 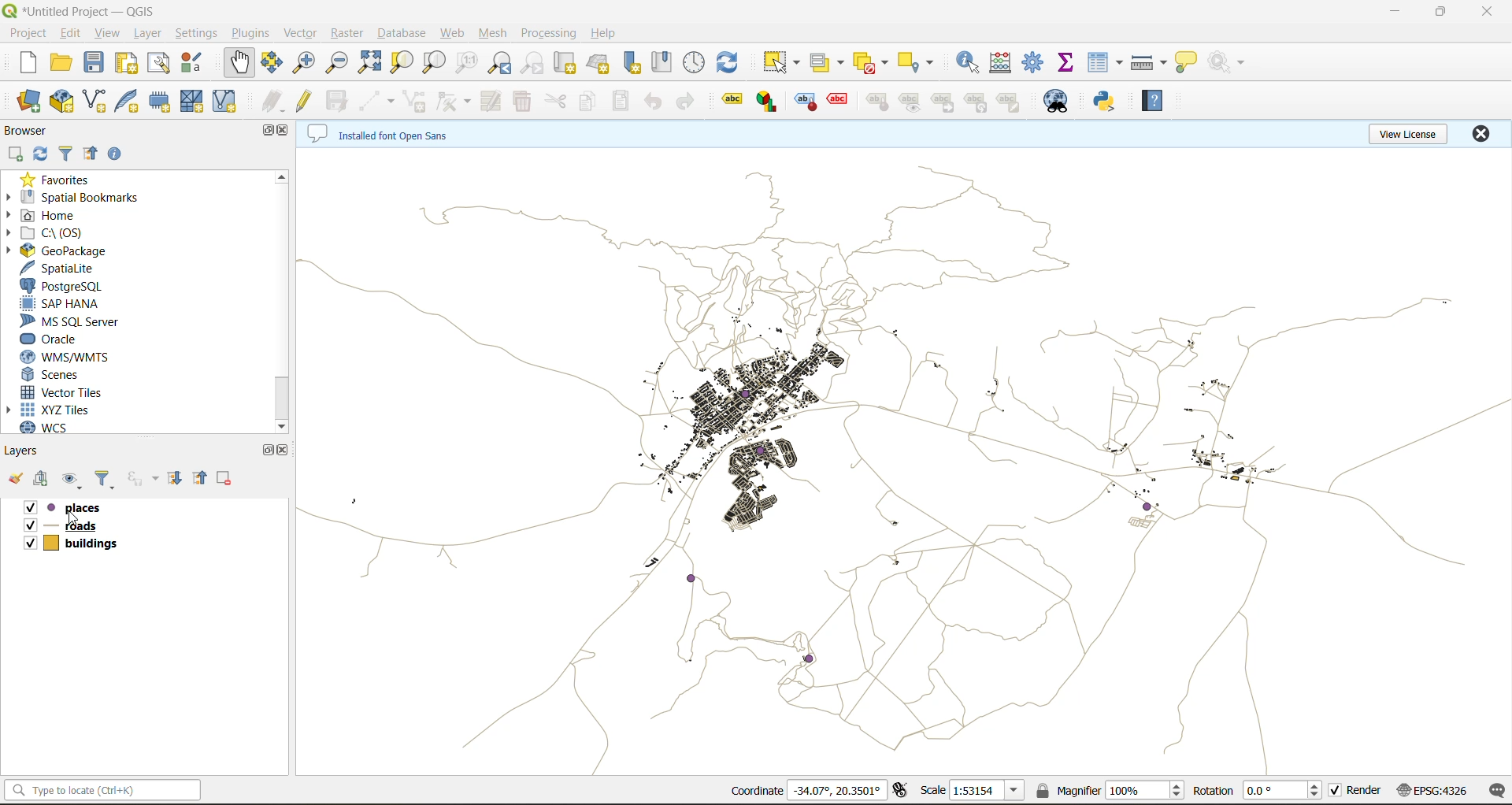 What do you see at coordinates (123, 63) in the screenshot?
I see `print layout` at bounding box center [123, 63].